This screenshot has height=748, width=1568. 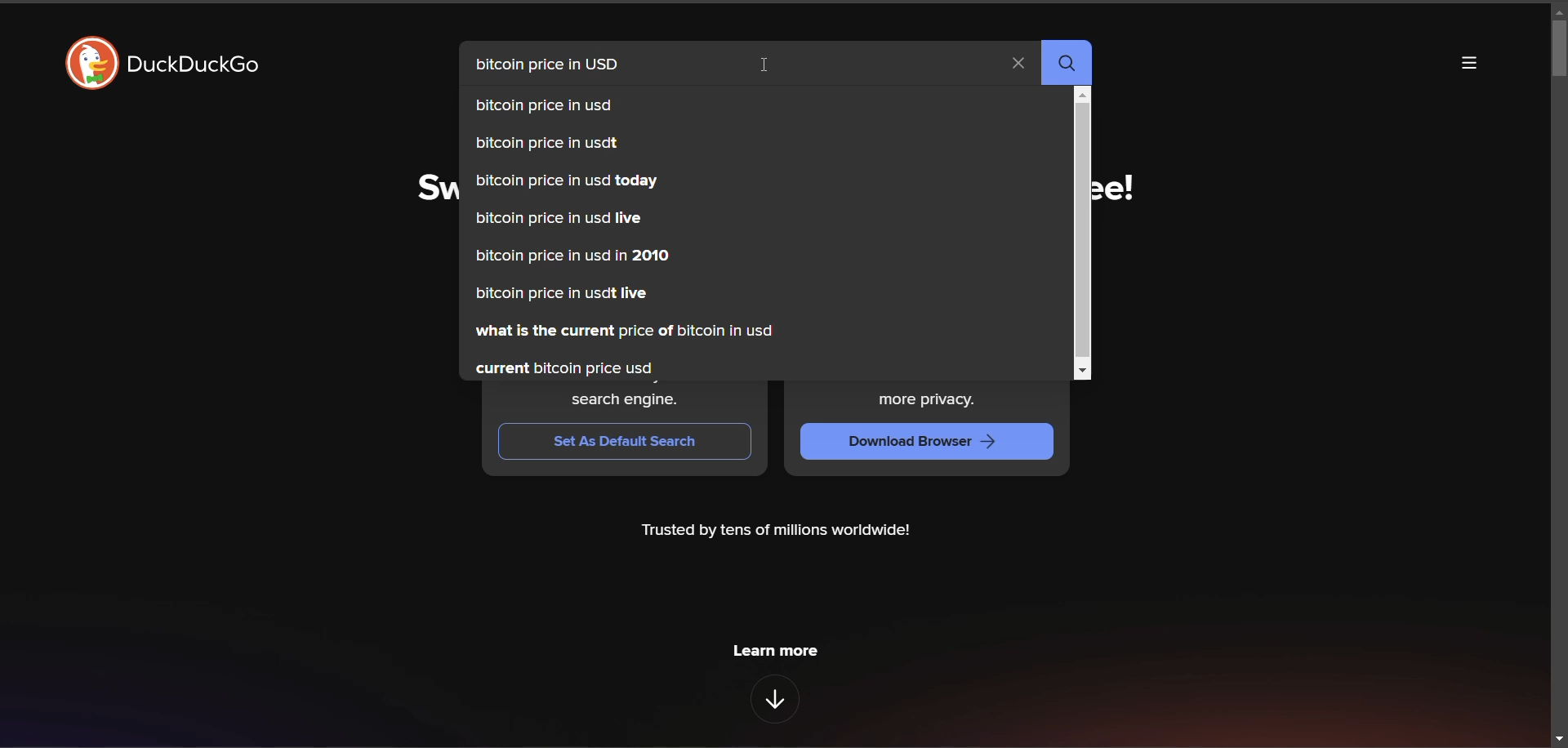 What do you see at coordinates (1070, 63) in the screenshot?
I see `search button` at bounding box center [1070, 63].